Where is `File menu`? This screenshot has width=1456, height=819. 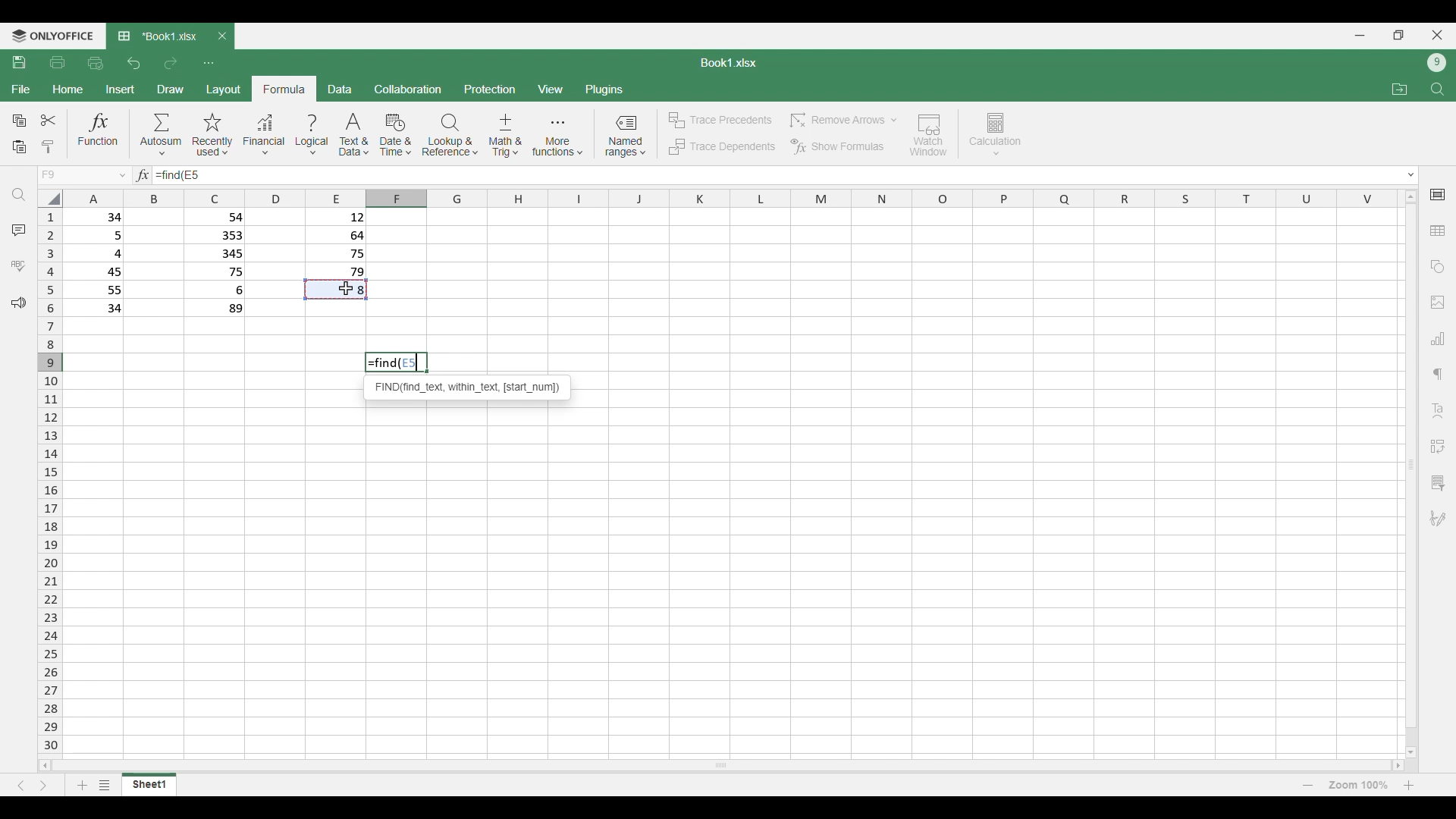 File menu is located at coordinates (21, 89).